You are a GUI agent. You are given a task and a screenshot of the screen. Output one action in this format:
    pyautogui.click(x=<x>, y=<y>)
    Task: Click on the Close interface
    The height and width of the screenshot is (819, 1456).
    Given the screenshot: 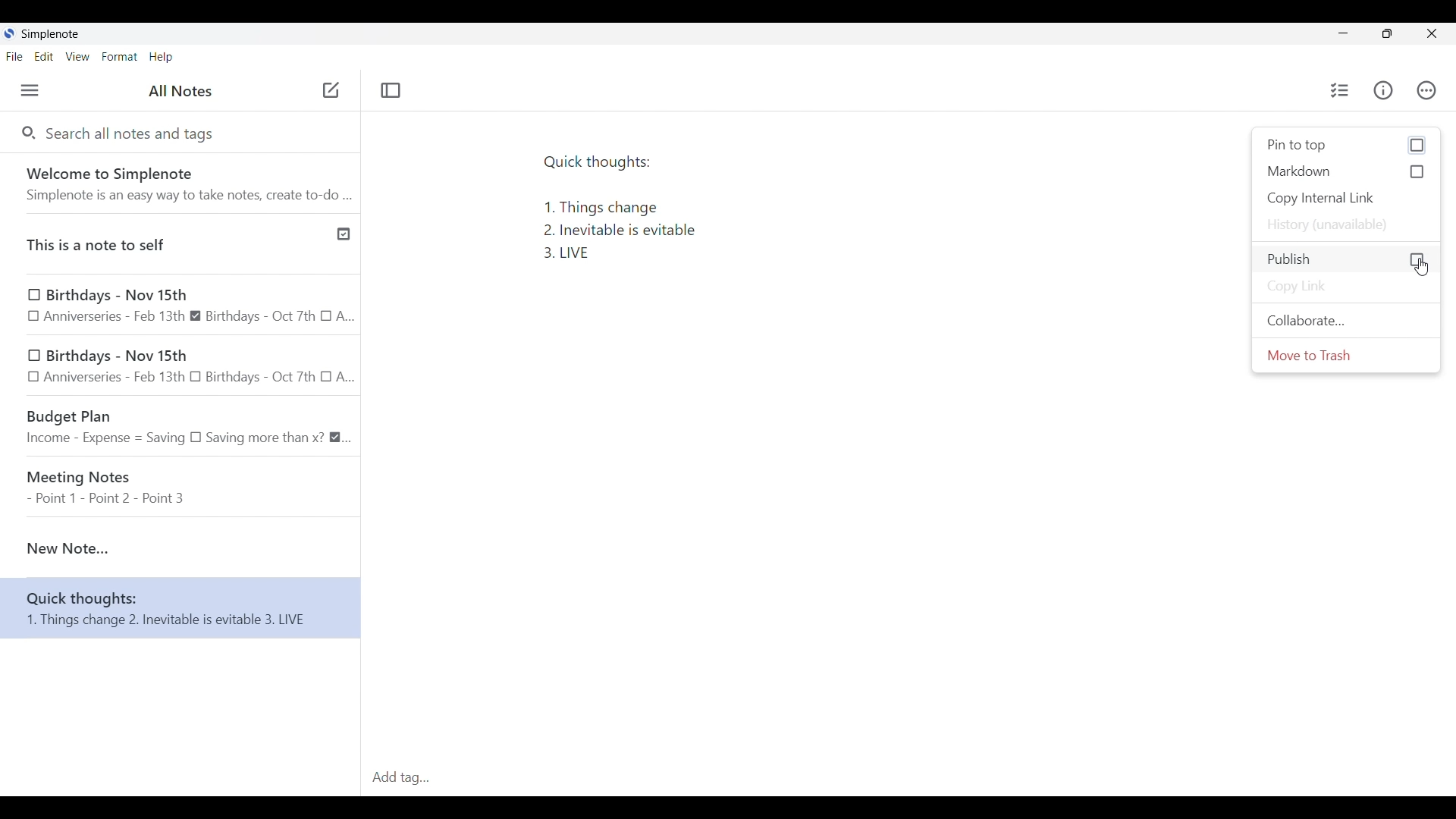 What is the action you would take?
    pyautogui.click(x=1431, y=33)
    